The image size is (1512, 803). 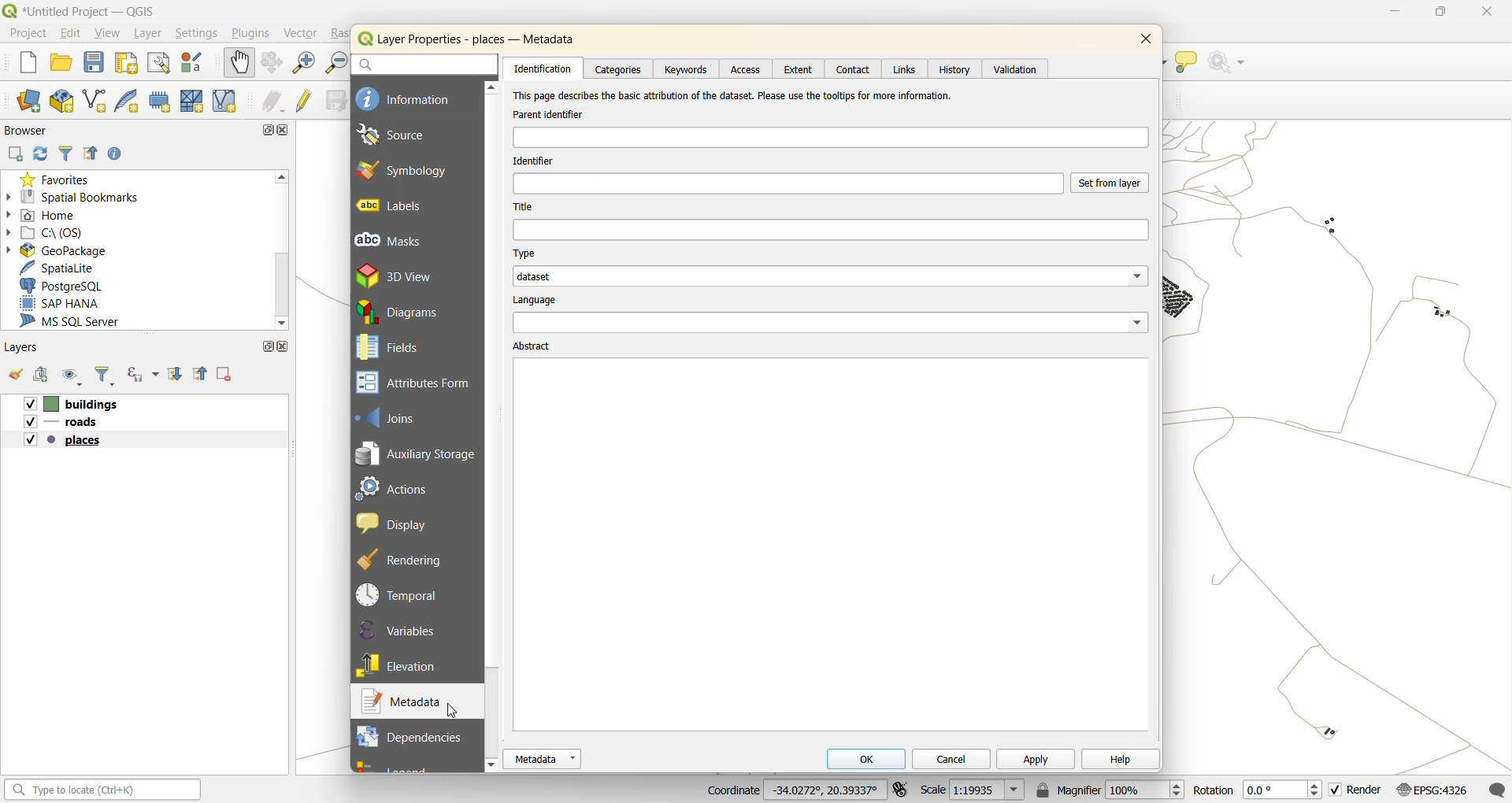 I want to click on status bar, so click(x=100, y=789).